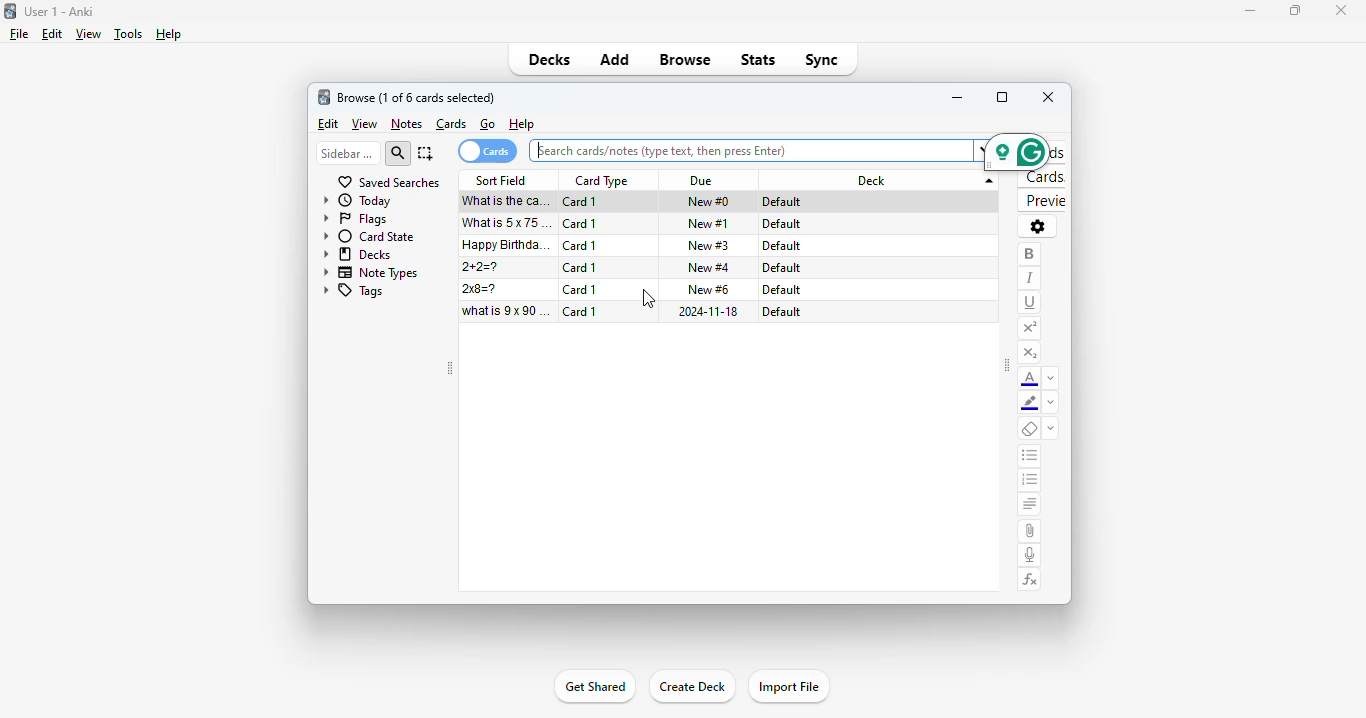 The height and width of the screenshot is (718, 1366). I want to click on default, so click(780, 311).